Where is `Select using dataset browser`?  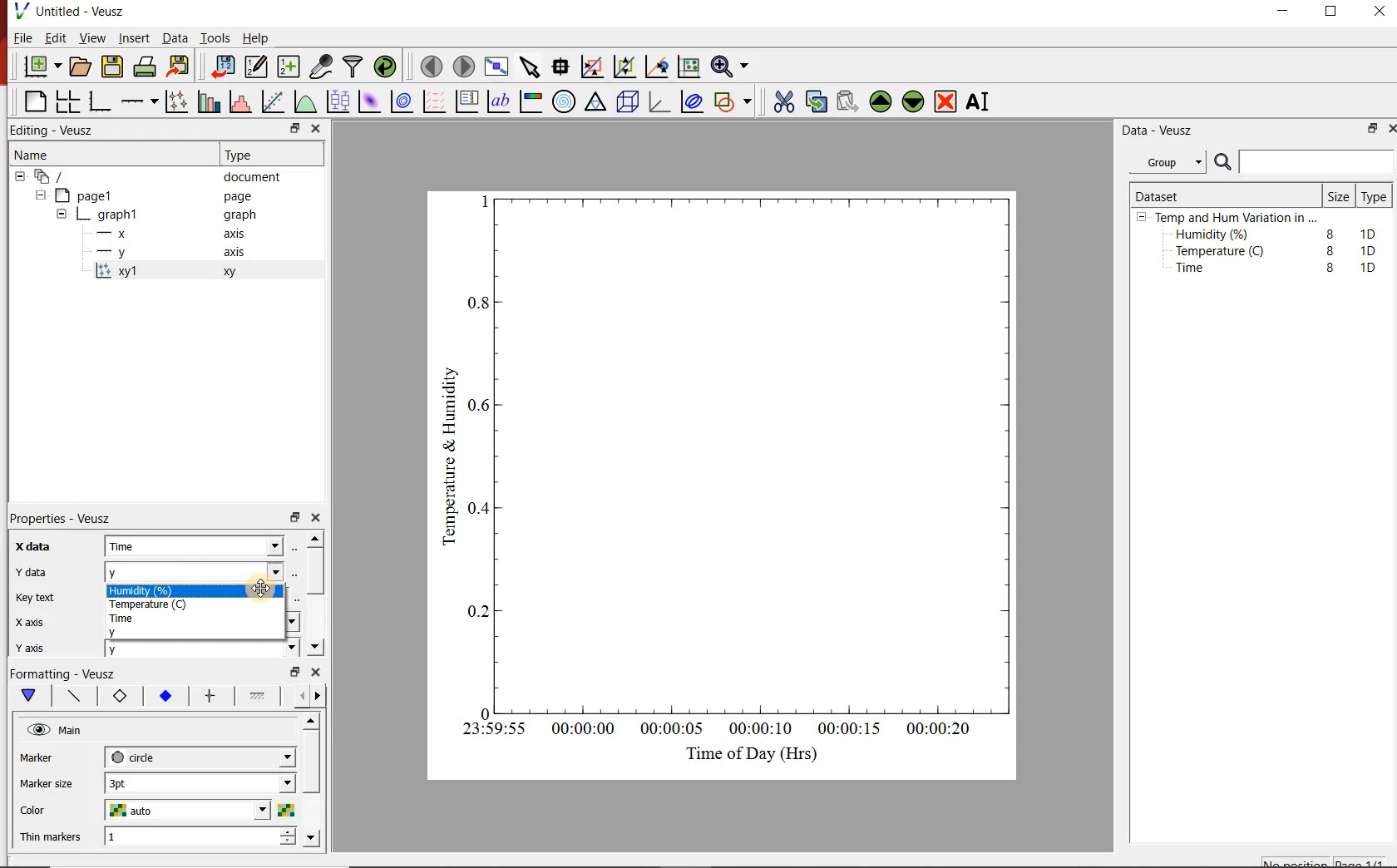 Select using dataset browser is located at coordinates (295, 572).